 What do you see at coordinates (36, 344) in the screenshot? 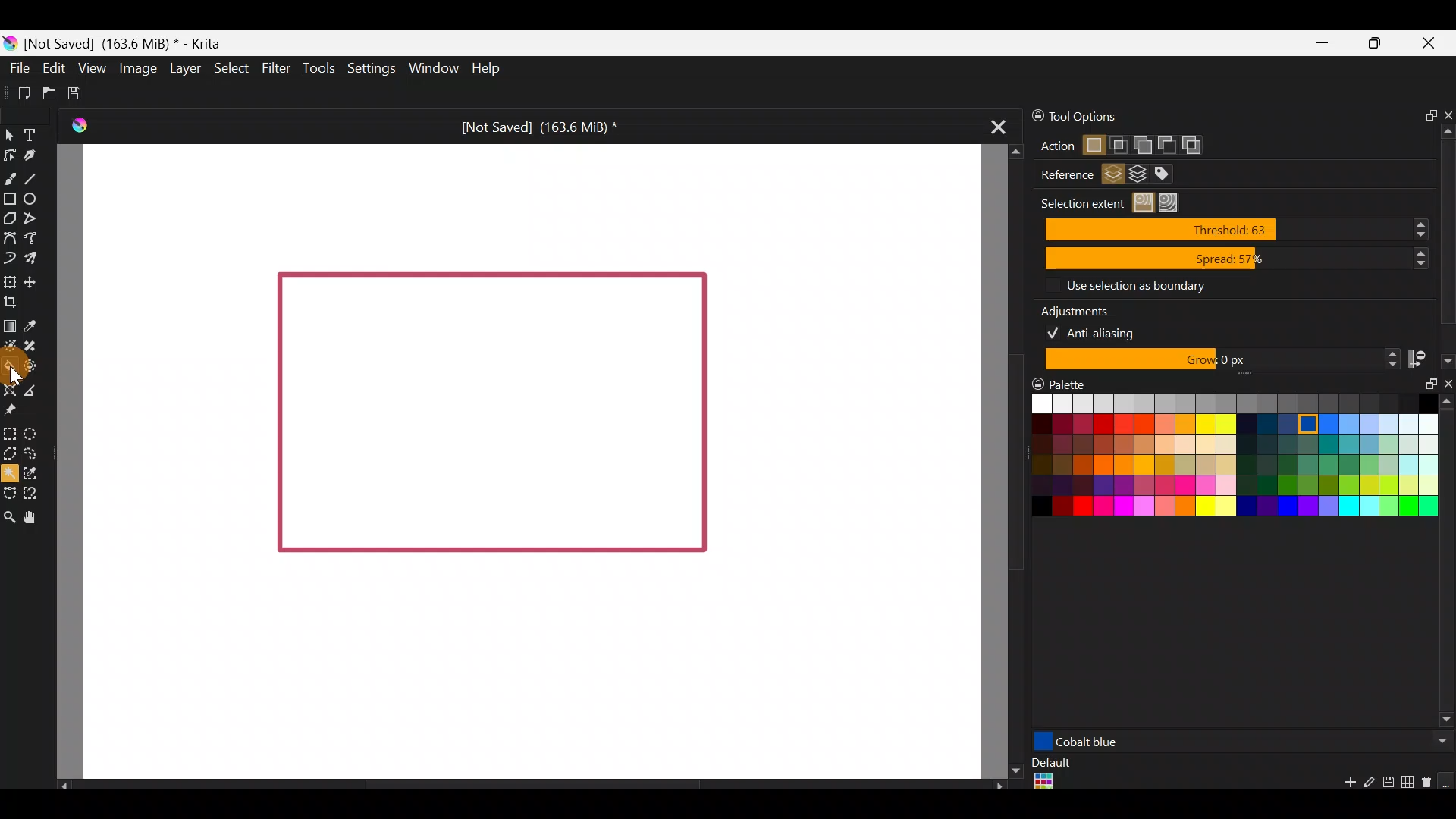
I see `Smart patch tool` at bounding box center [36, 344].